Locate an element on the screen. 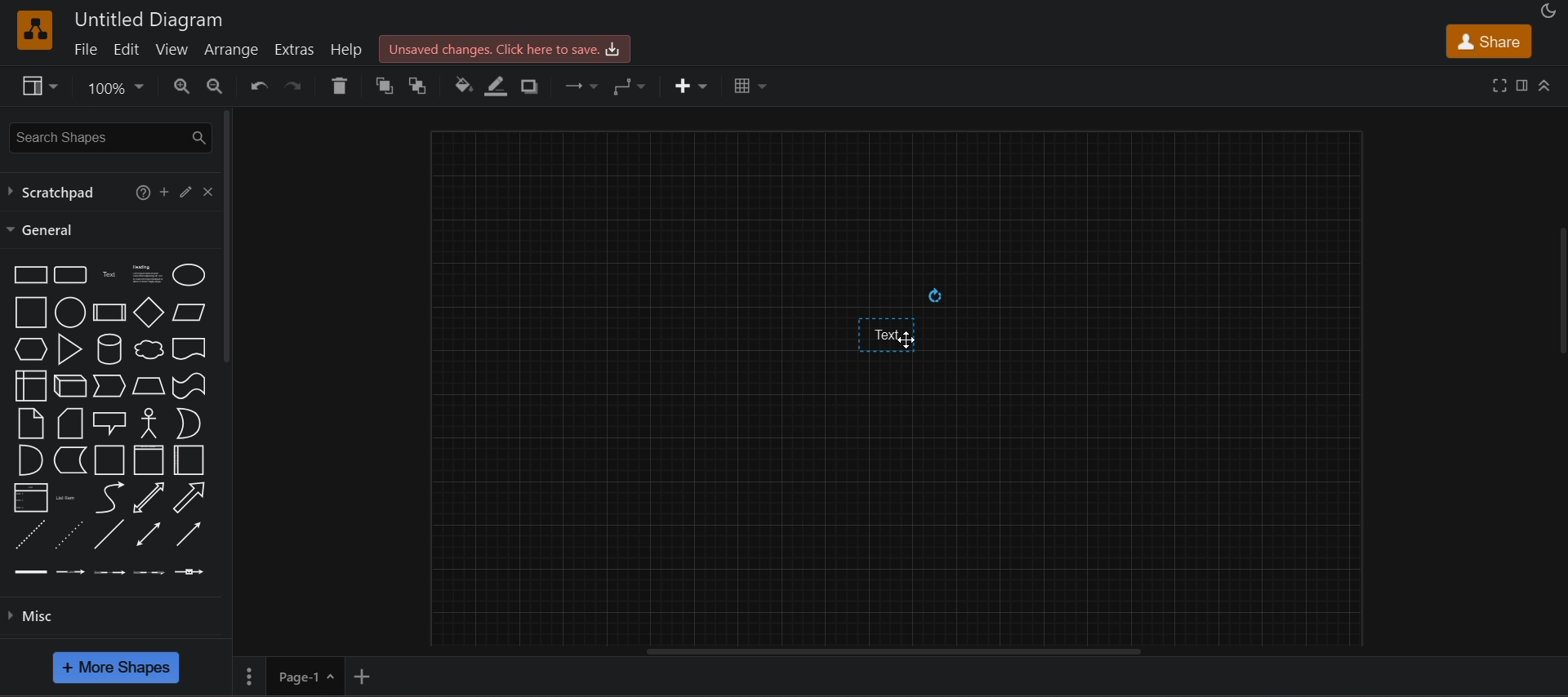  zoom options is located at coordinates (116, 87).